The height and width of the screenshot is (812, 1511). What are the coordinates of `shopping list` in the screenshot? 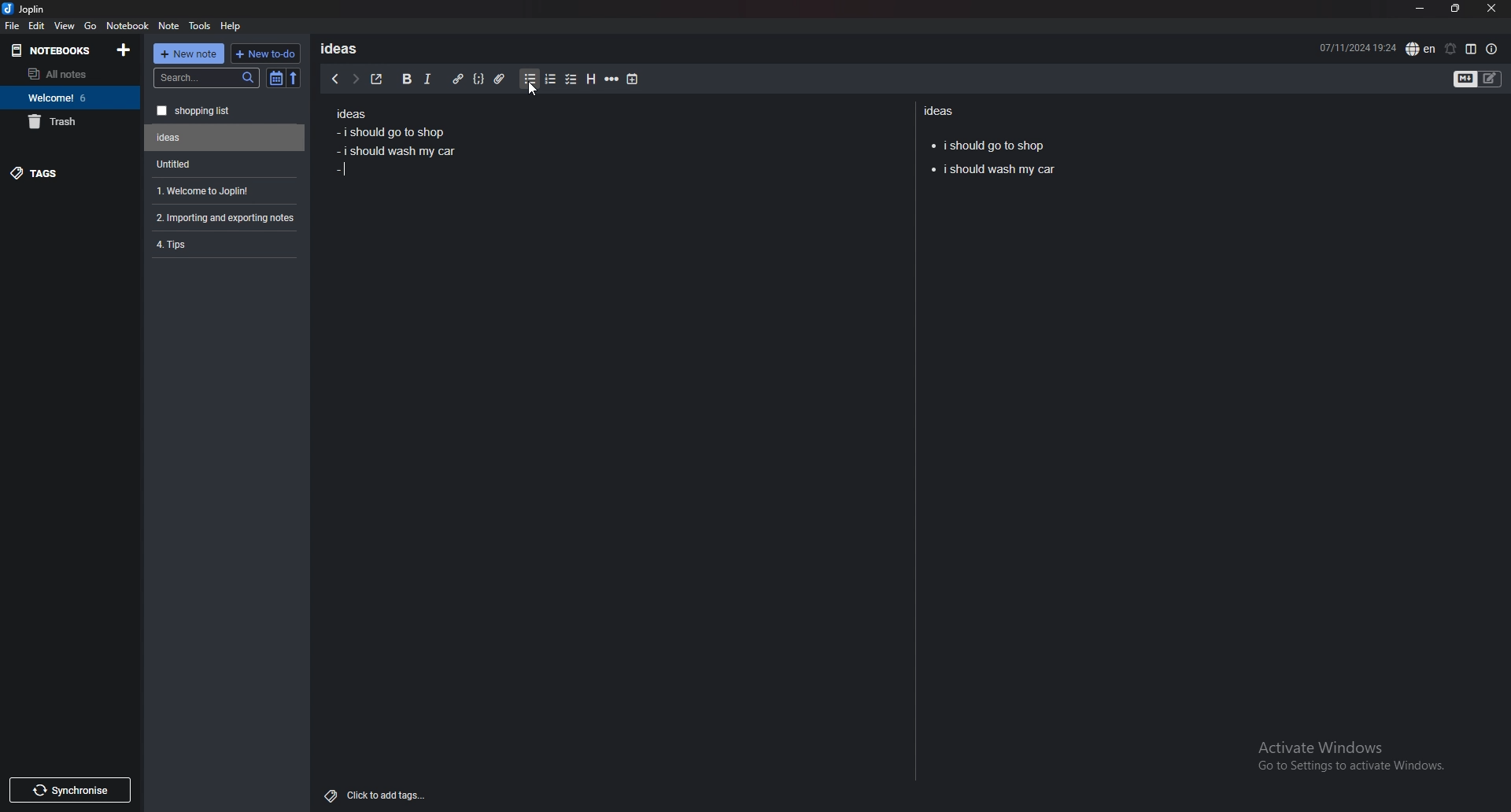 It's located at (225, 111).